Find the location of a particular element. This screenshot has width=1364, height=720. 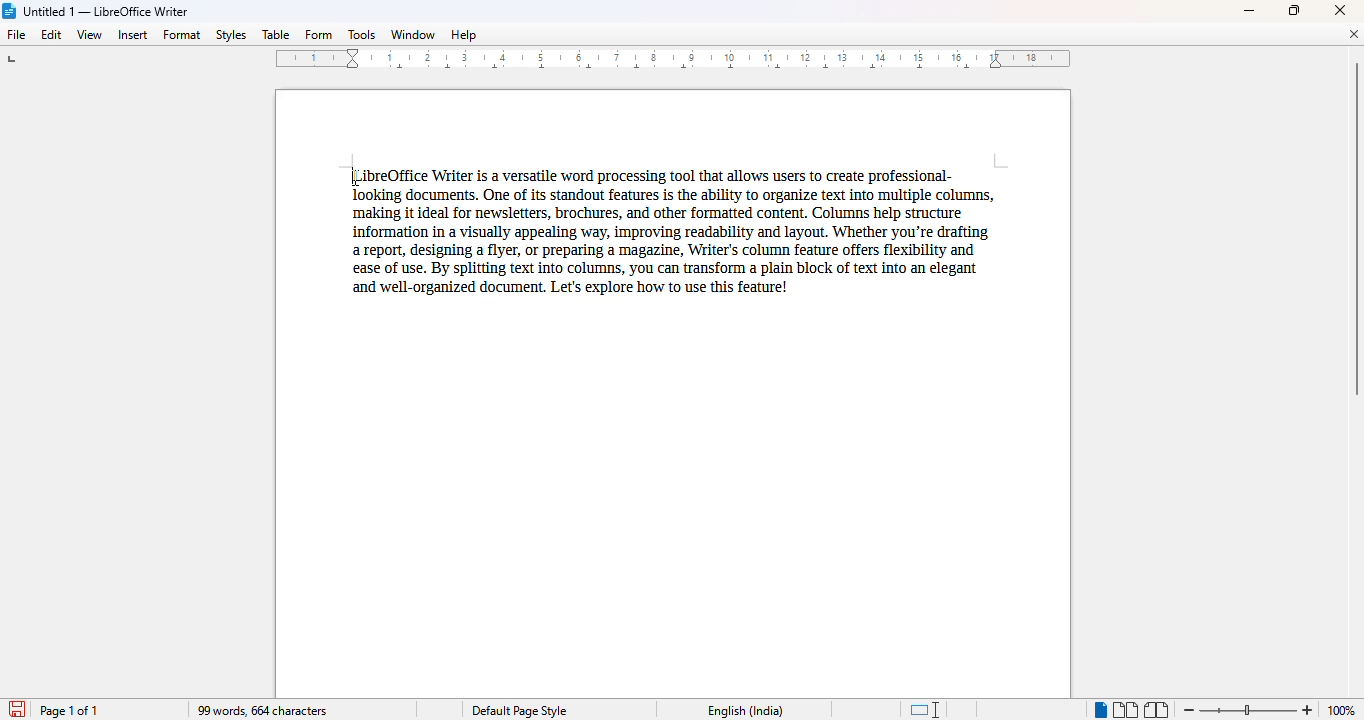

ruler is located at coordinates (673, 58).